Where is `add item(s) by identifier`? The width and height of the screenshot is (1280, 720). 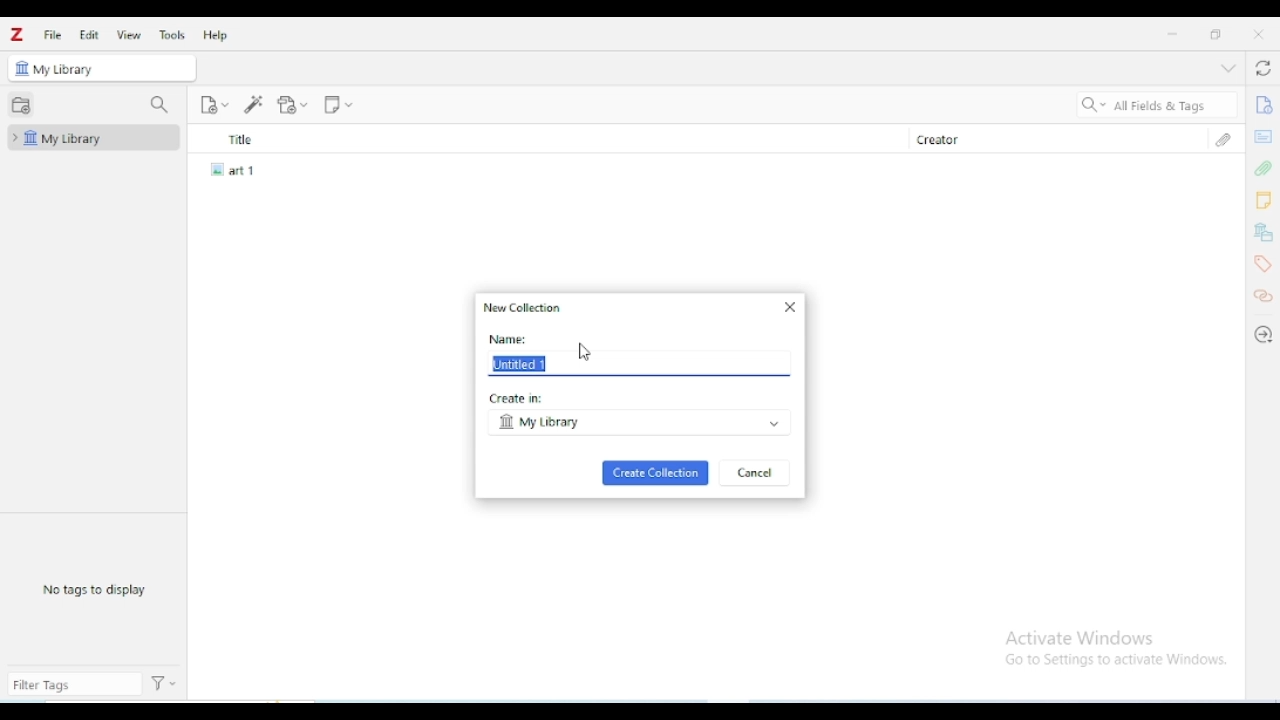 add item(s) by identifier is located at coordinates (254, 104).